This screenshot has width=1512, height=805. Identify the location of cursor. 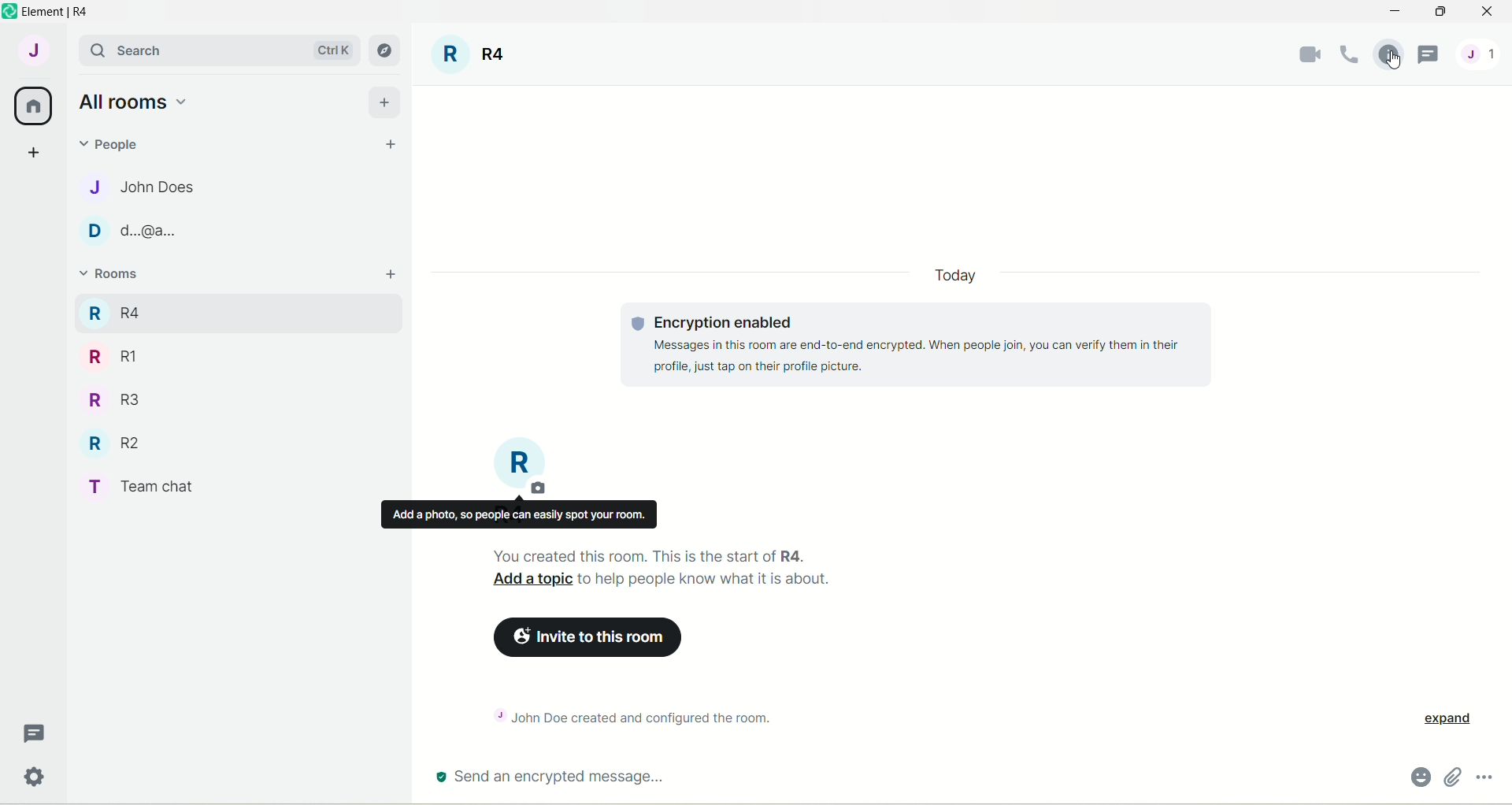
(1390, 64).